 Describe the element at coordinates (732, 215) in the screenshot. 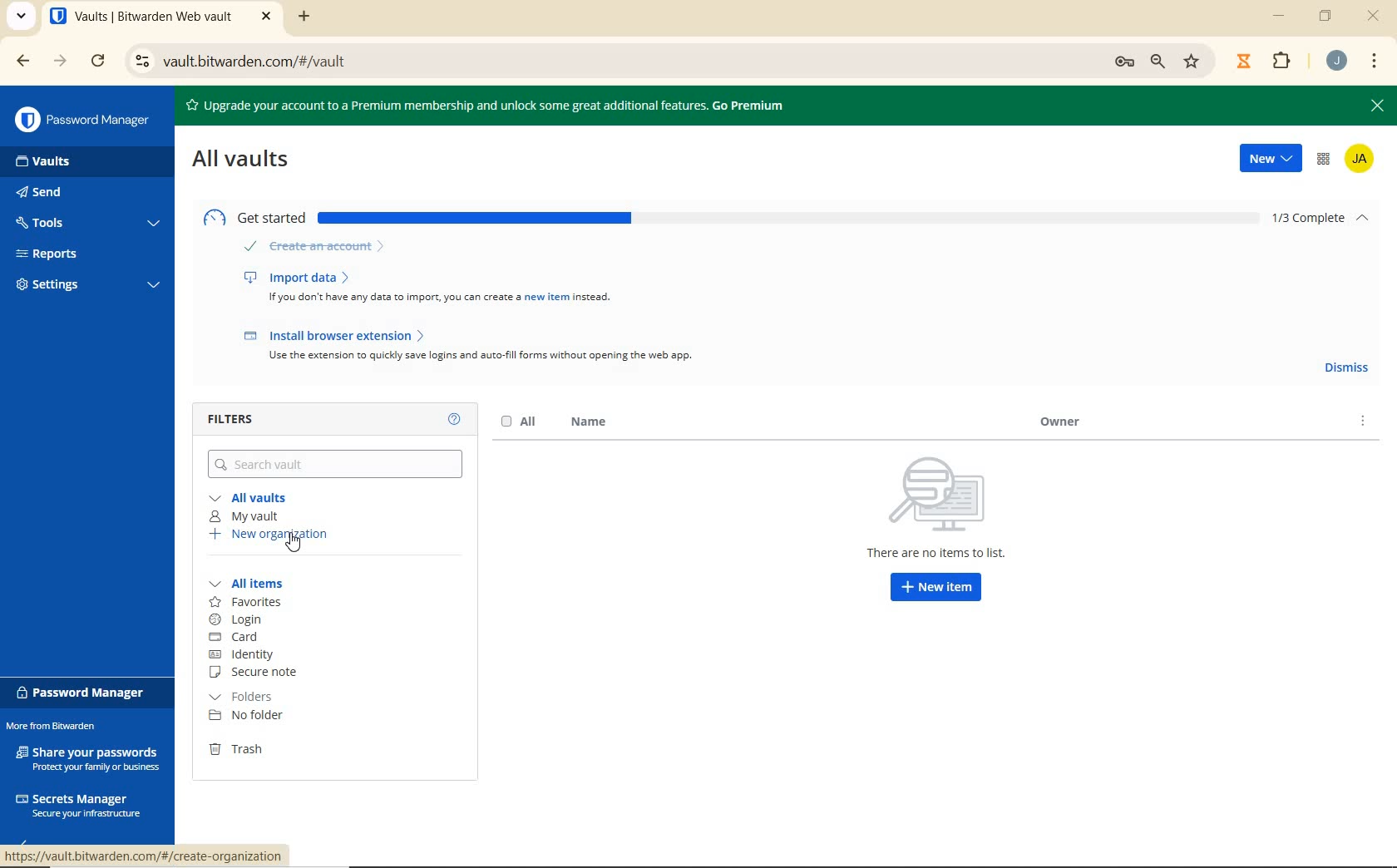

I see `get started` at that location.